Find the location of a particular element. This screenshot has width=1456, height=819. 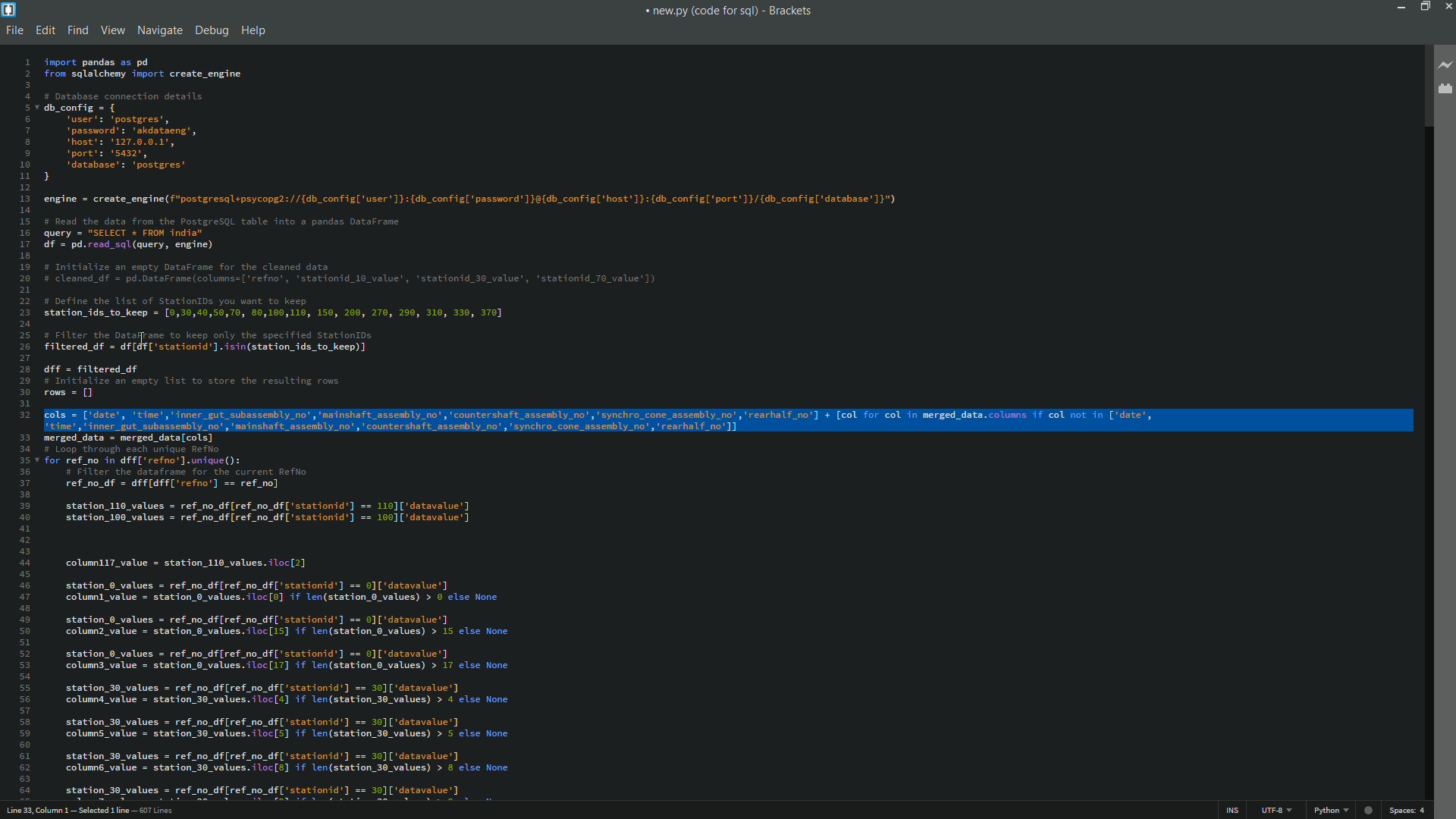

lines of codes is located at coordinates (730, 225).